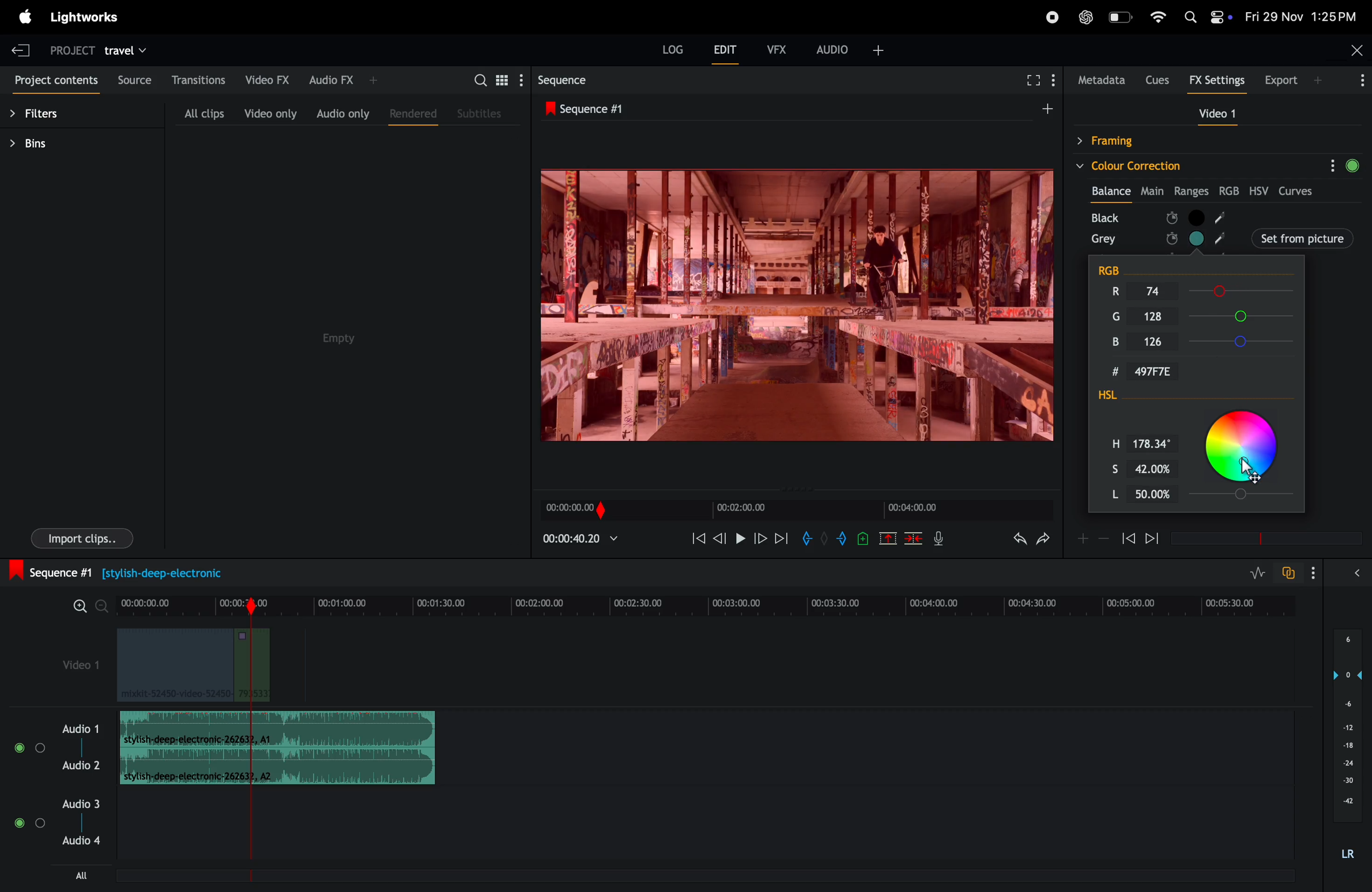  What do you see at coordinates (91, 606) in the screenshot?
I see `zoom in zoom out` at bounding box center [91, 606].